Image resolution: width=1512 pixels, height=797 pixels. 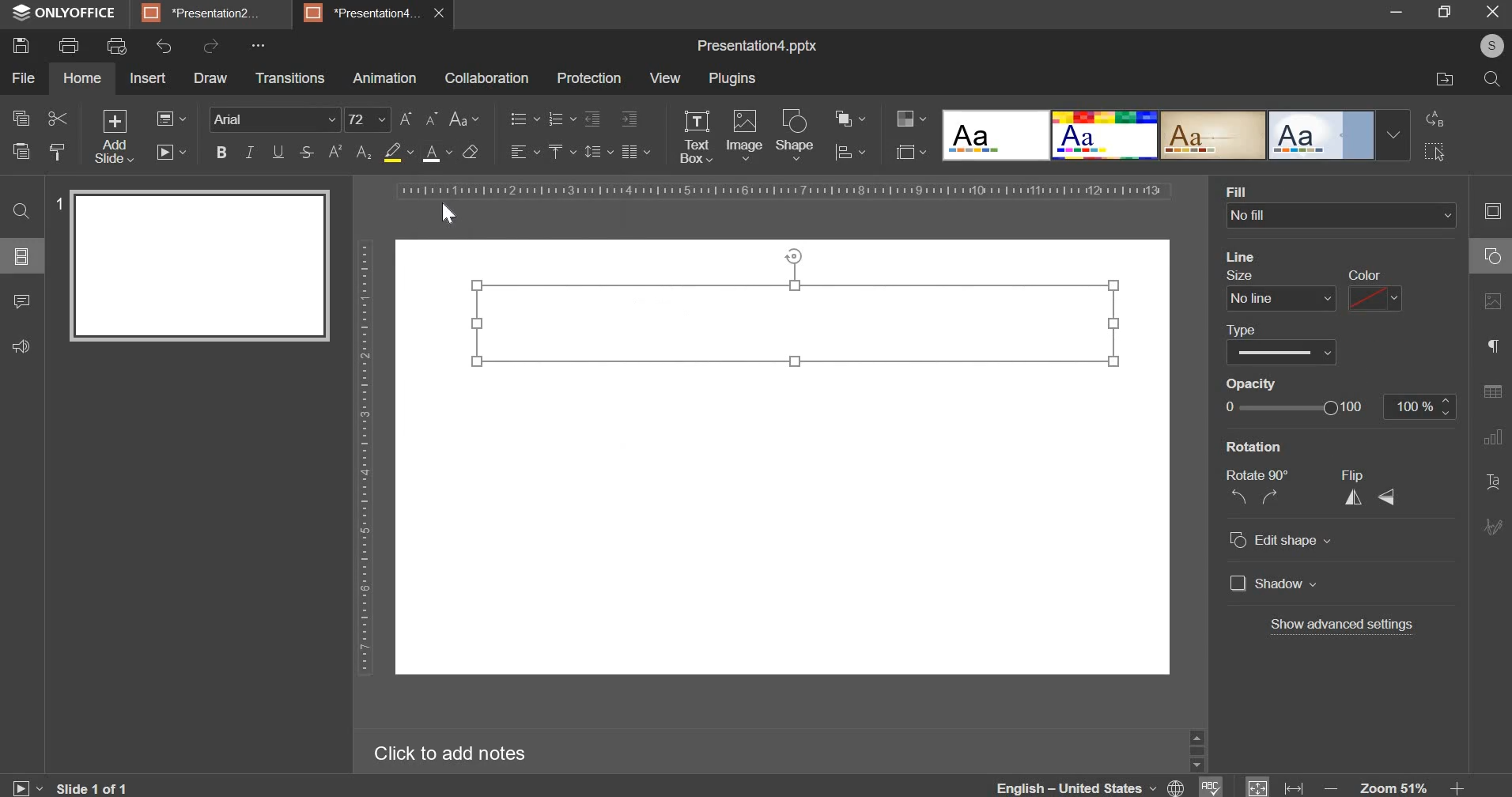 What do you see at coordinates (471, 151) in the screenshot?
I see `clear style` at bounding box center [471, 151].